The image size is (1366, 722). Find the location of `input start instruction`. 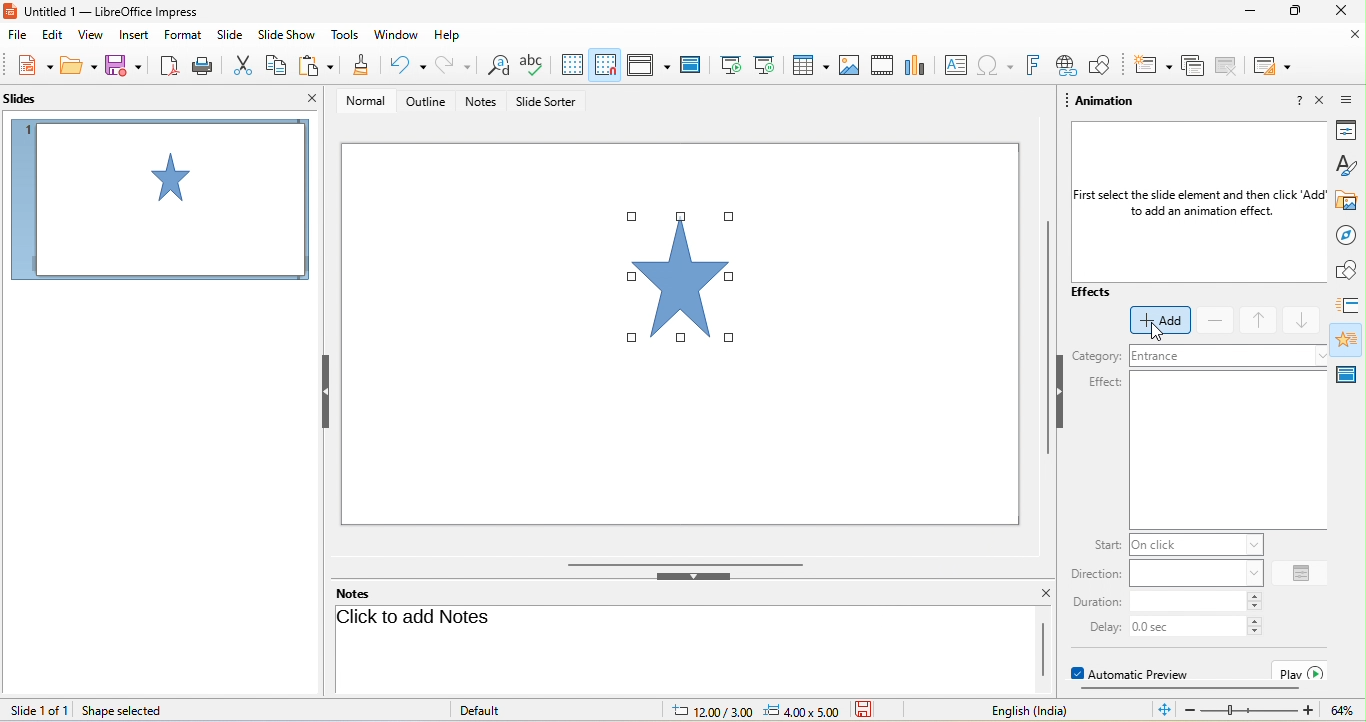

input start instruction is located at coordinates (1195, 545).